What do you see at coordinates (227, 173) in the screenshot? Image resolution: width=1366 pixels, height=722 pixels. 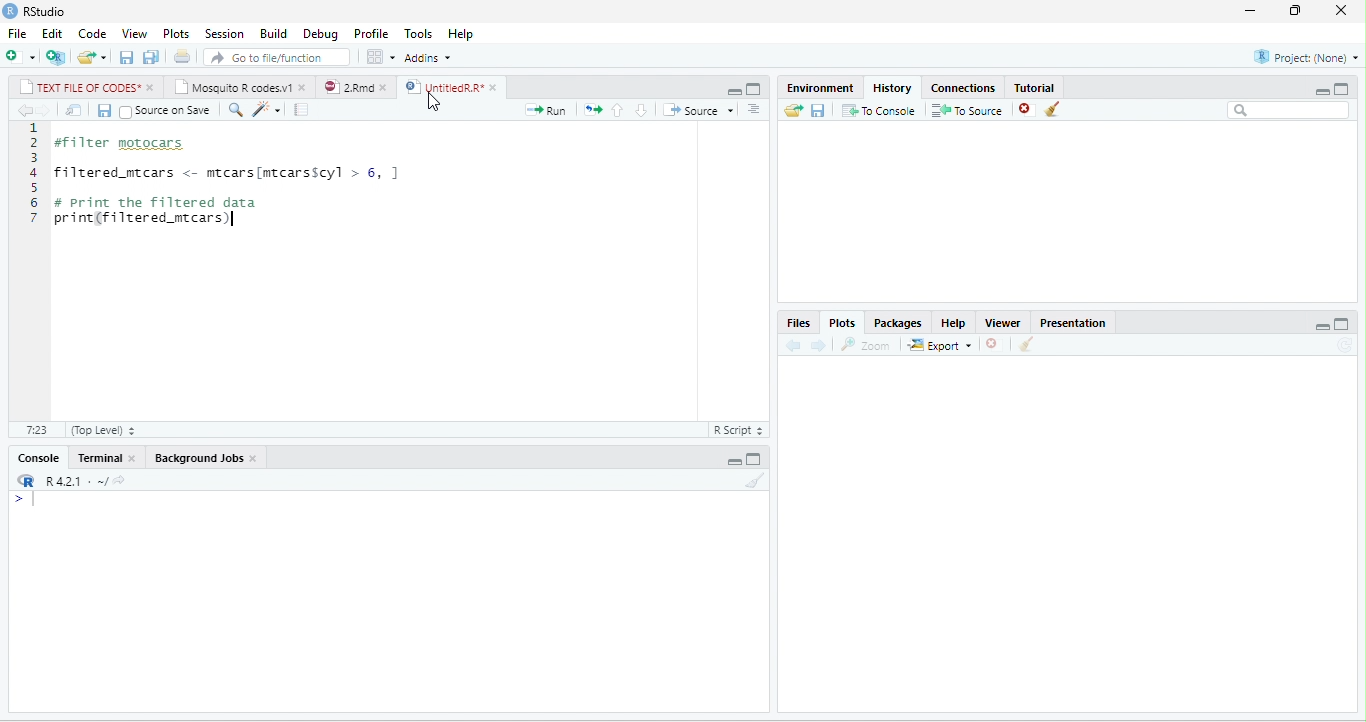 I see `filtered_mtcars <- mtcars[mtcarsscyl > 6, ]` at bounding box center [227, 173].